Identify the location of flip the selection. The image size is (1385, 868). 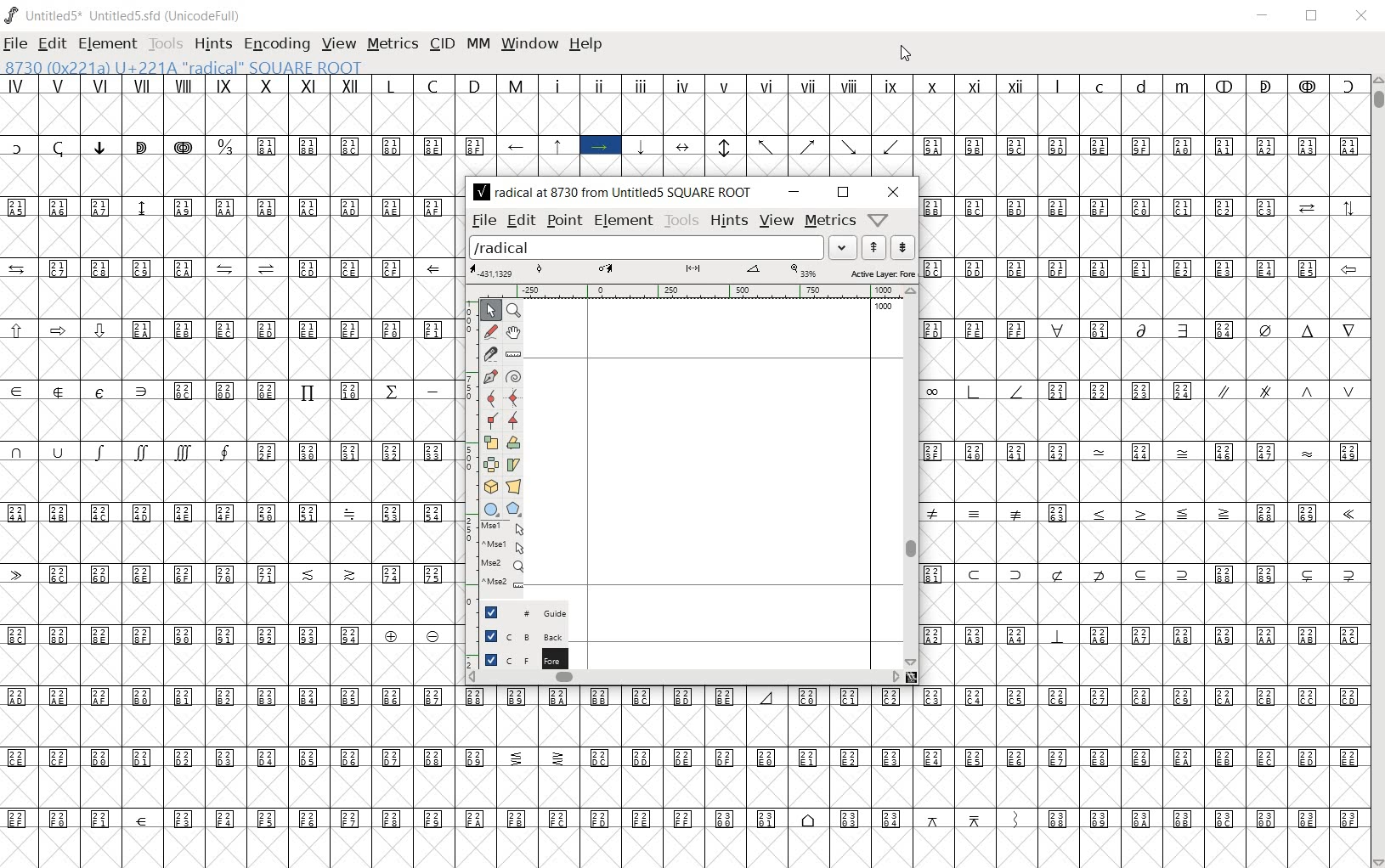
(490, 465).